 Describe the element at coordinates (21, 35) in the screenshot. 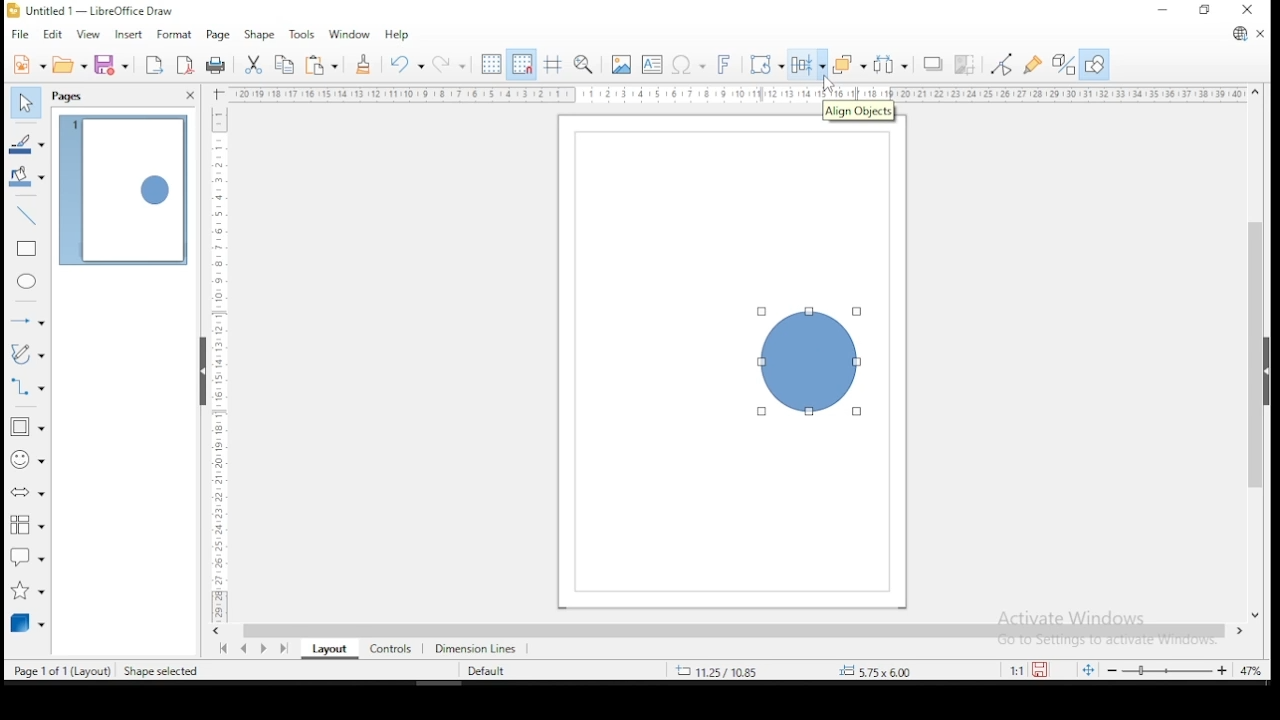

I see `file` at that location.